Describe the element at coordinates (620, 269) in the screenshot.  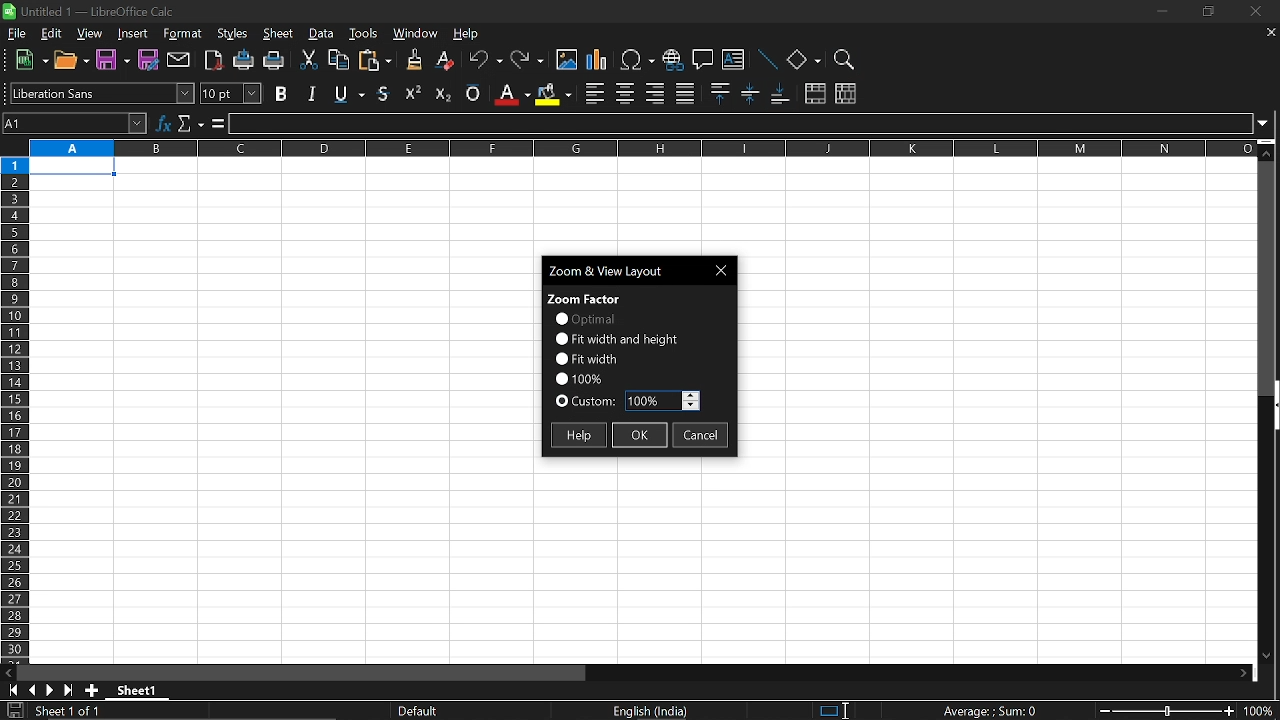
I see `current window` at that location.